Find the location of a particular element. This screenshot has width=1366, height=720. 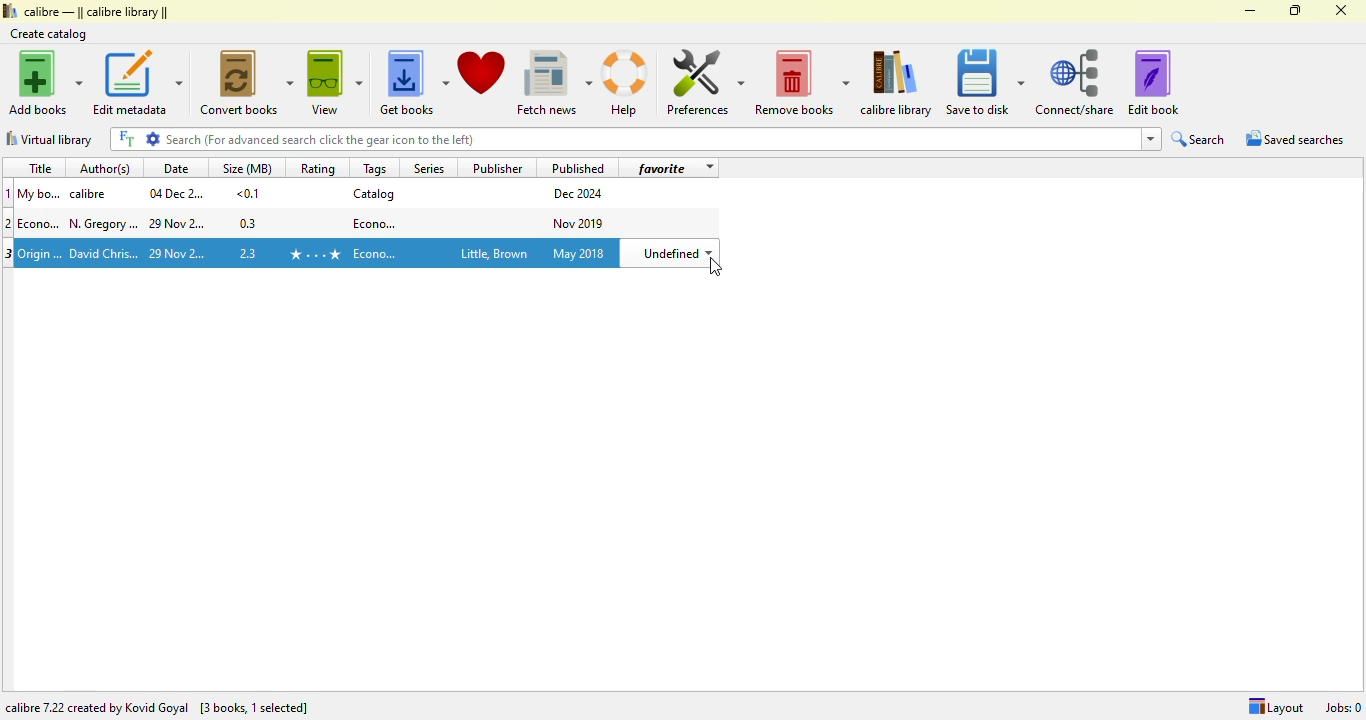

tags is located at coordinates (375, 168).